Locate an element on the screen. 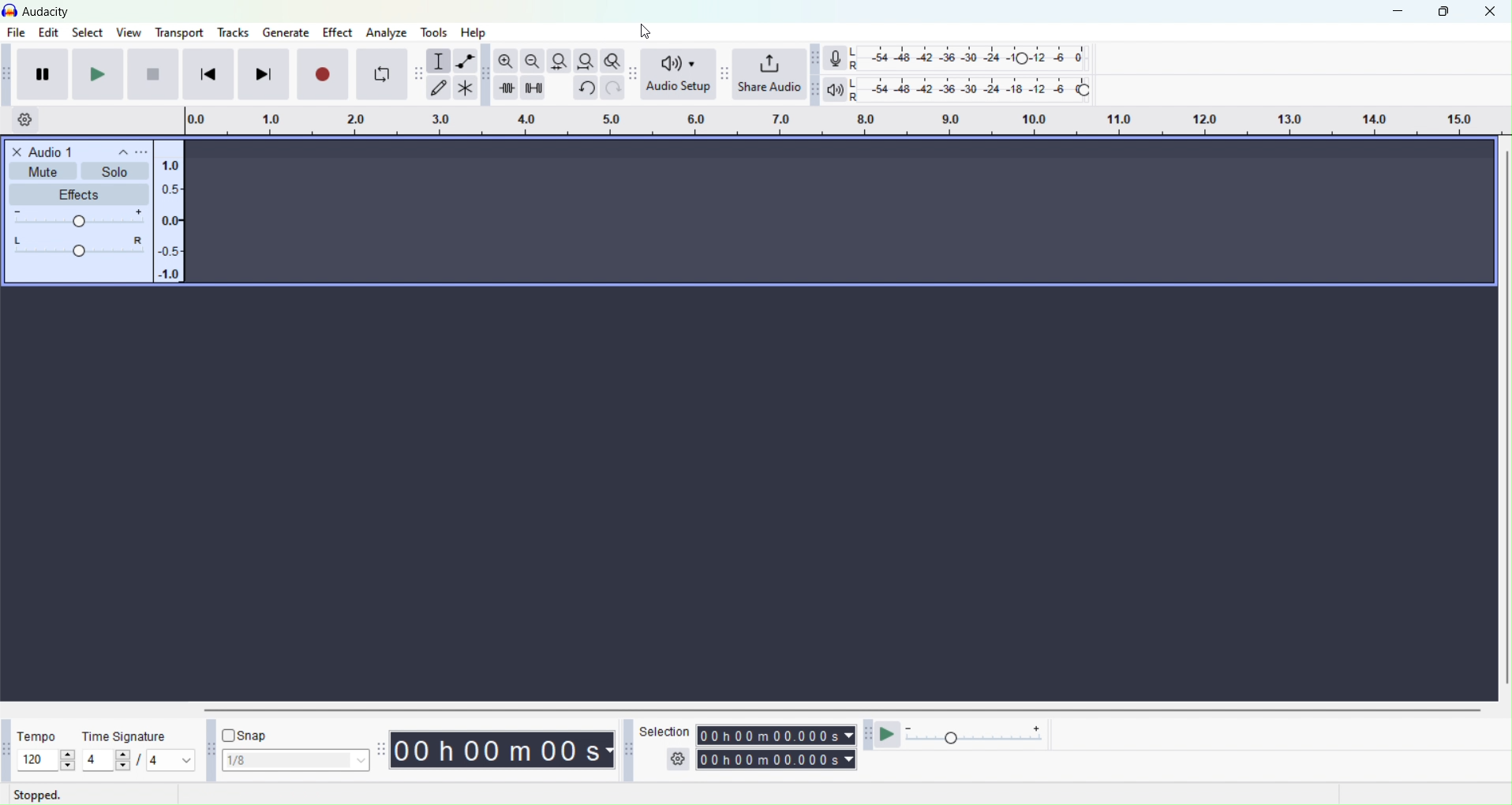 The image size is (1512, 805). options is located at coordinates (144, 152).